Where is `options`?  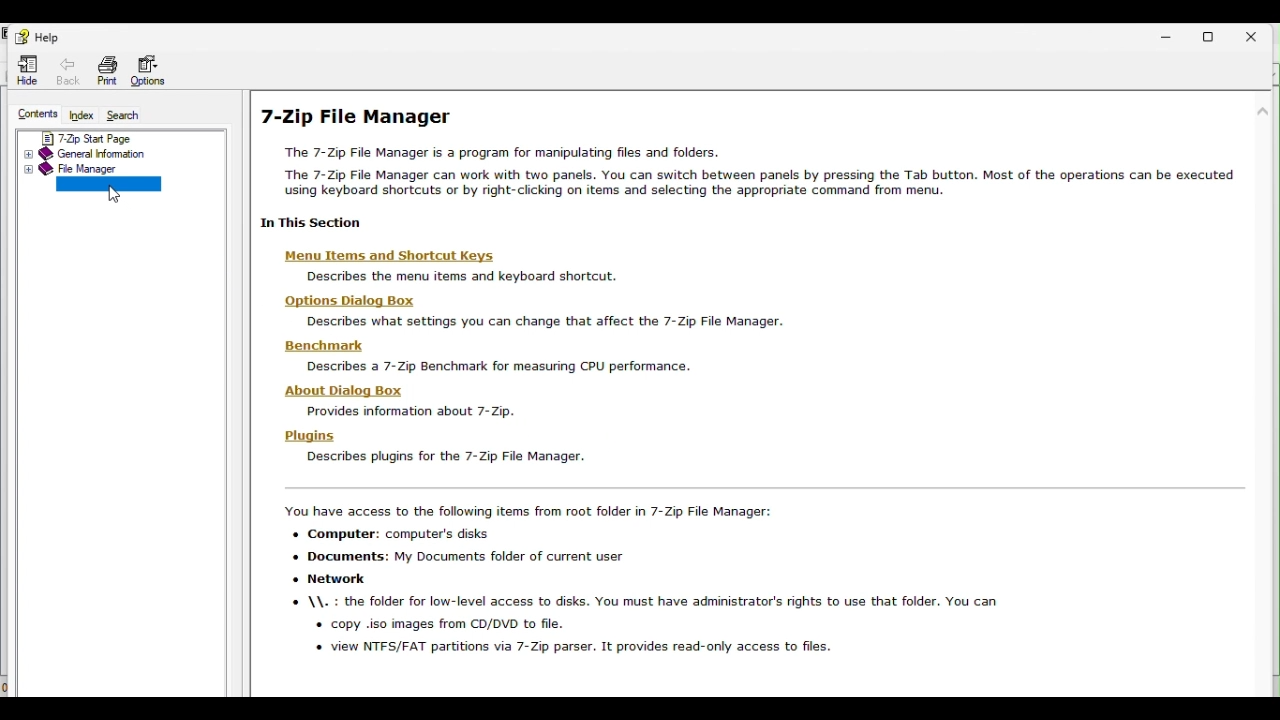
options is located at coordinates (152, 69).